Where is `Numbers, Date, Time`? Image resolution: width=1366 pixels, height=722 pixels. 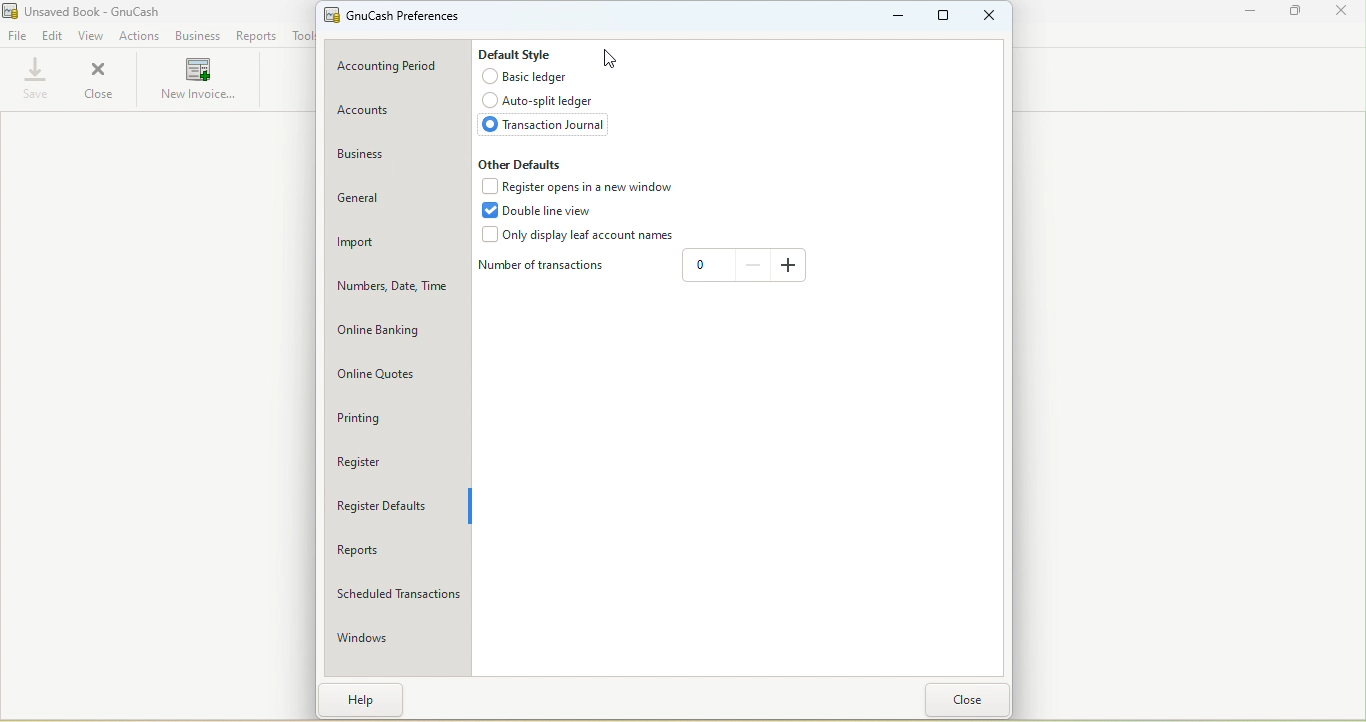
Numbers, Date, Time is located at coordinates (395, 290).